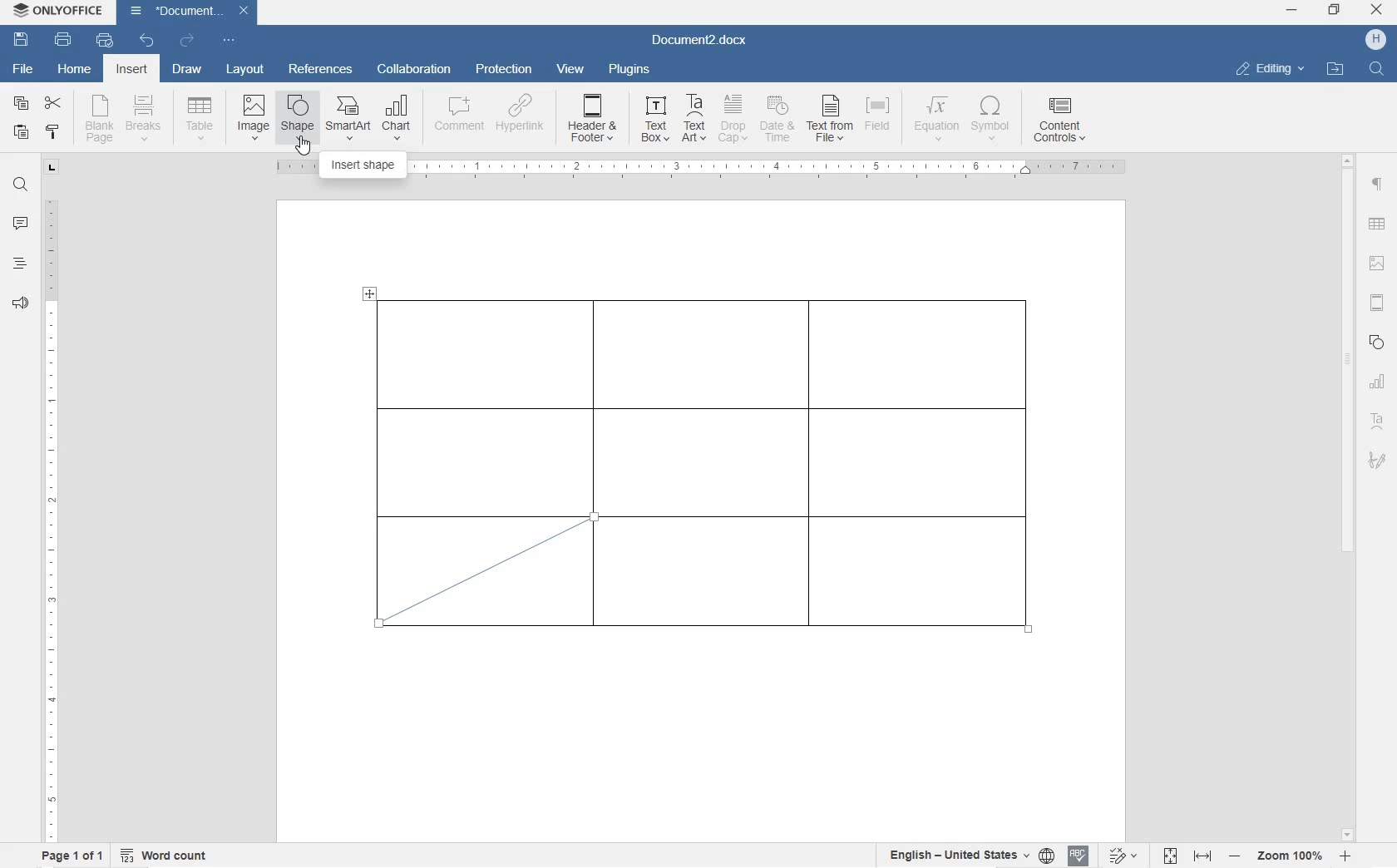 Image resolution: width=1397 pixels, height=868 pixels. Describe the element at coordinates (61, 11) in the screenshot. I see `ONLYOFFICE` at that location.